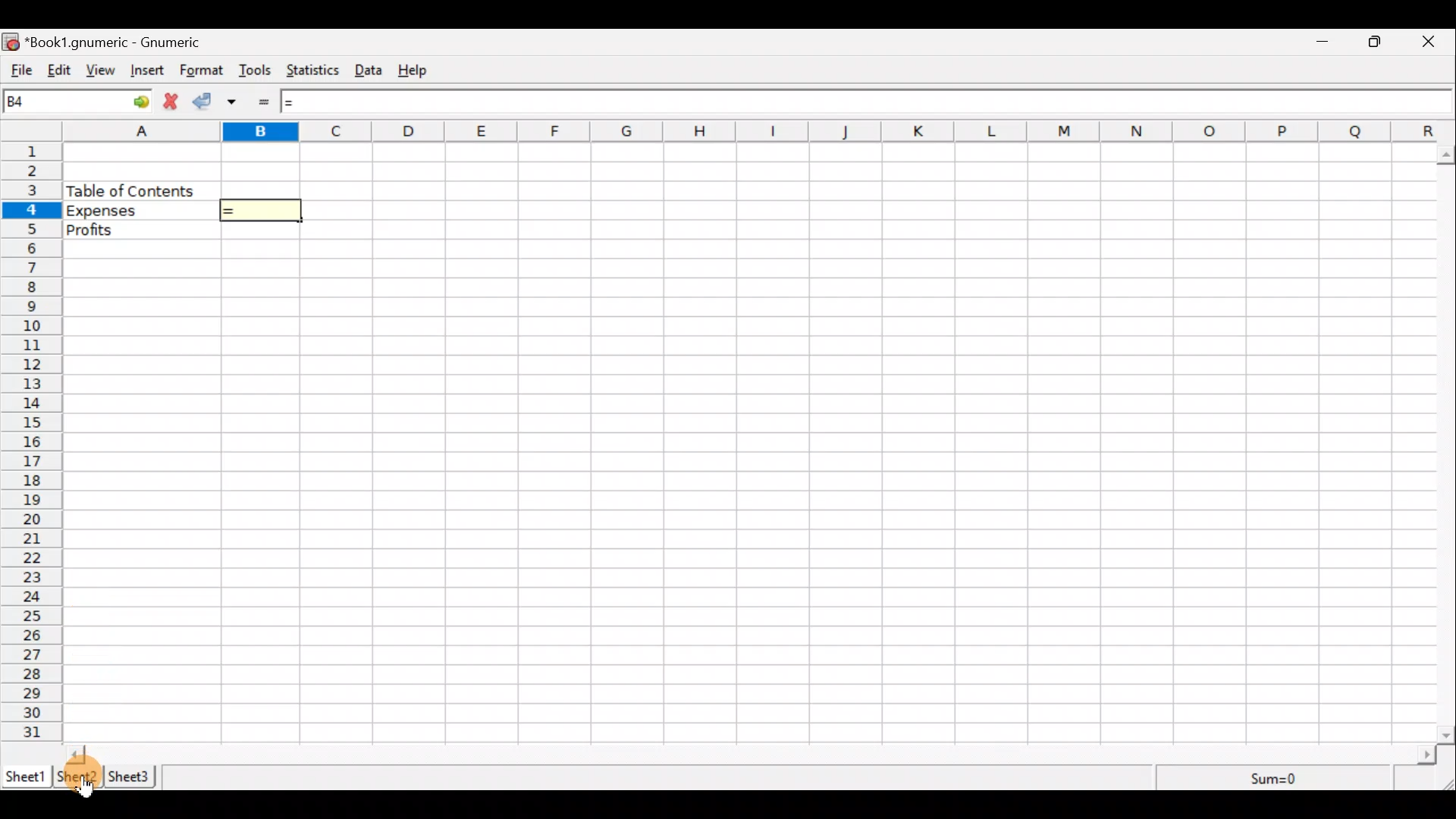 Image resolution: width=1456 pixels, height=819 pixels. What do you see at coordinates (78, 101) in the screenshot?
I see `Cell name` at bounding box center [78, 101].